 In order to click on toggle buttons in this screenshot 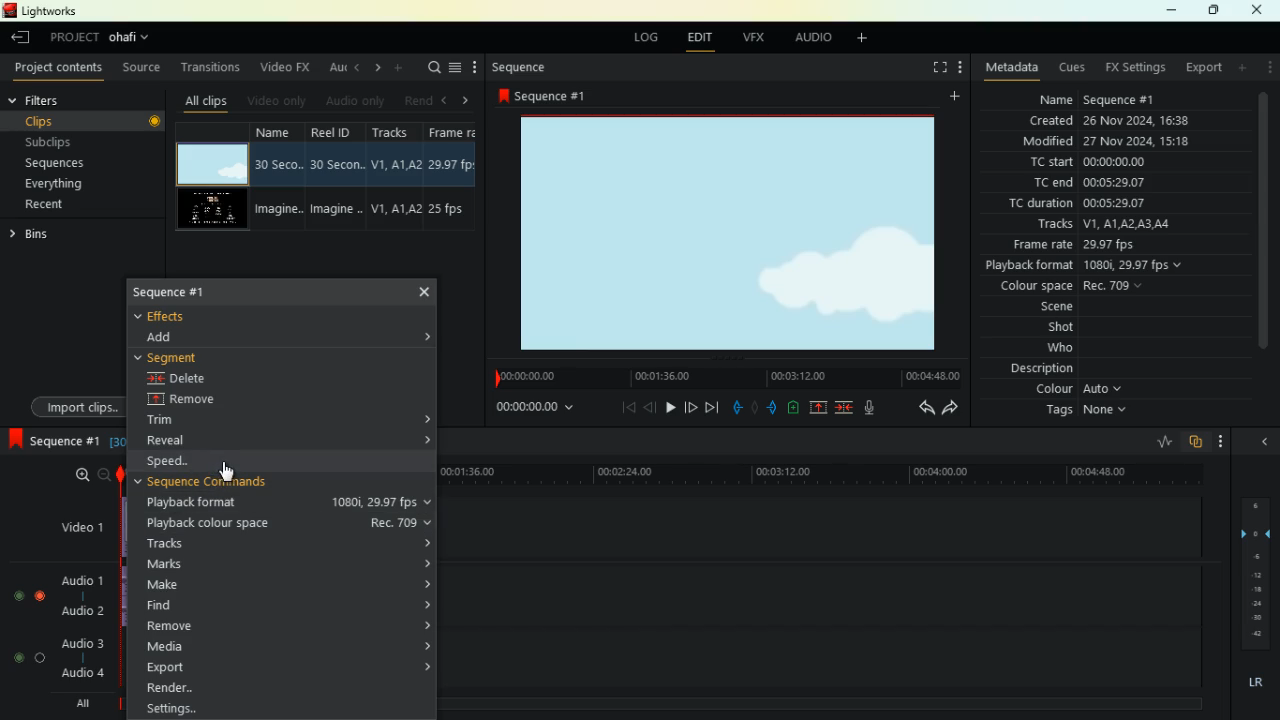, I will do `click(27, 623)`.